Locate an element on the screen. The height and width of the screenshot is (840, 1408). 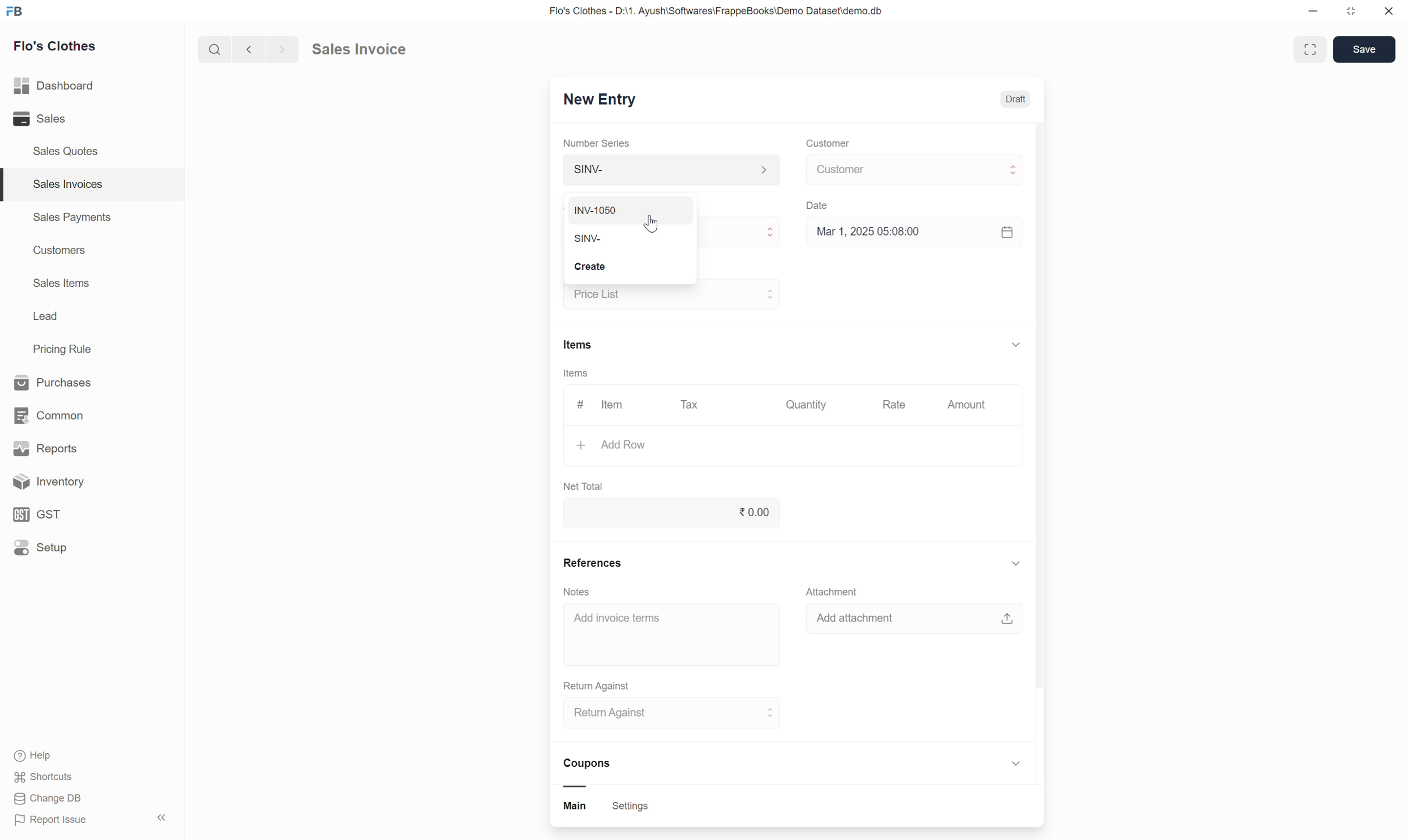
minimize  is located at coordinates (1318, 12).